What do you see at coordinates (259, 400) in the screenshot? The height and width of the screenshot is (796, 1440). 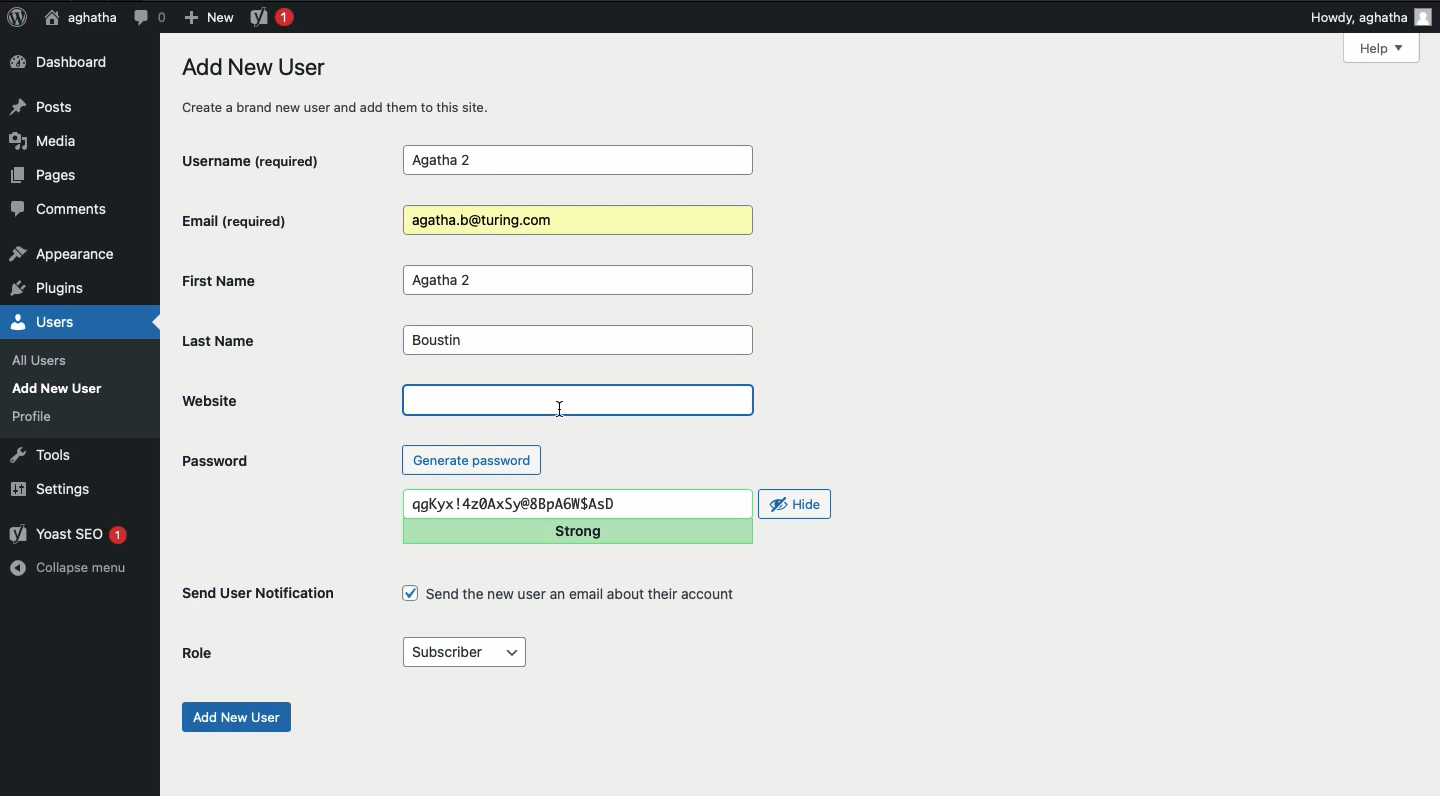 I see `Website` at bounding box center [259, 400].